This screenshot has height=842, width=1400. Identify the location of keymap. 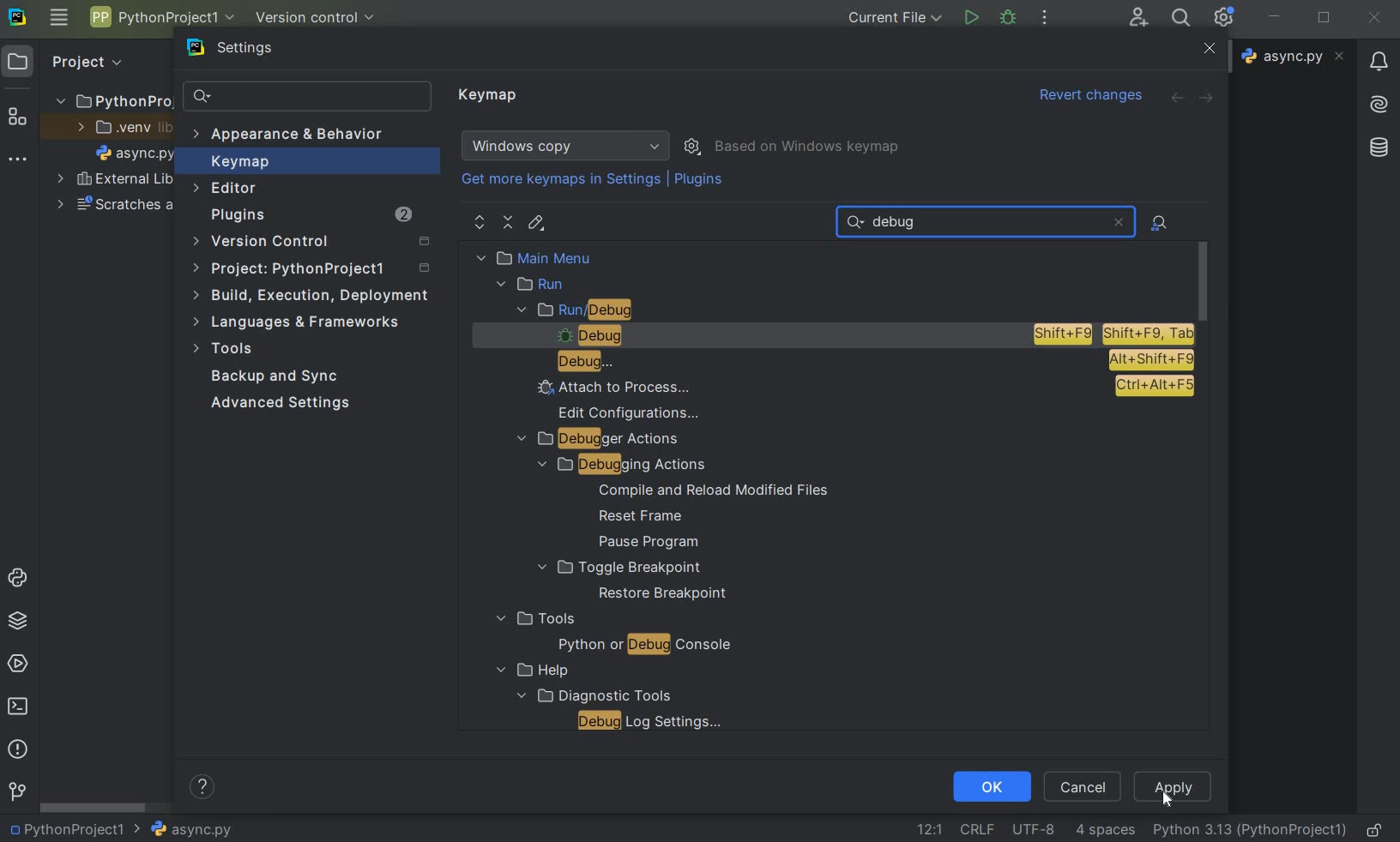
(490, 96).